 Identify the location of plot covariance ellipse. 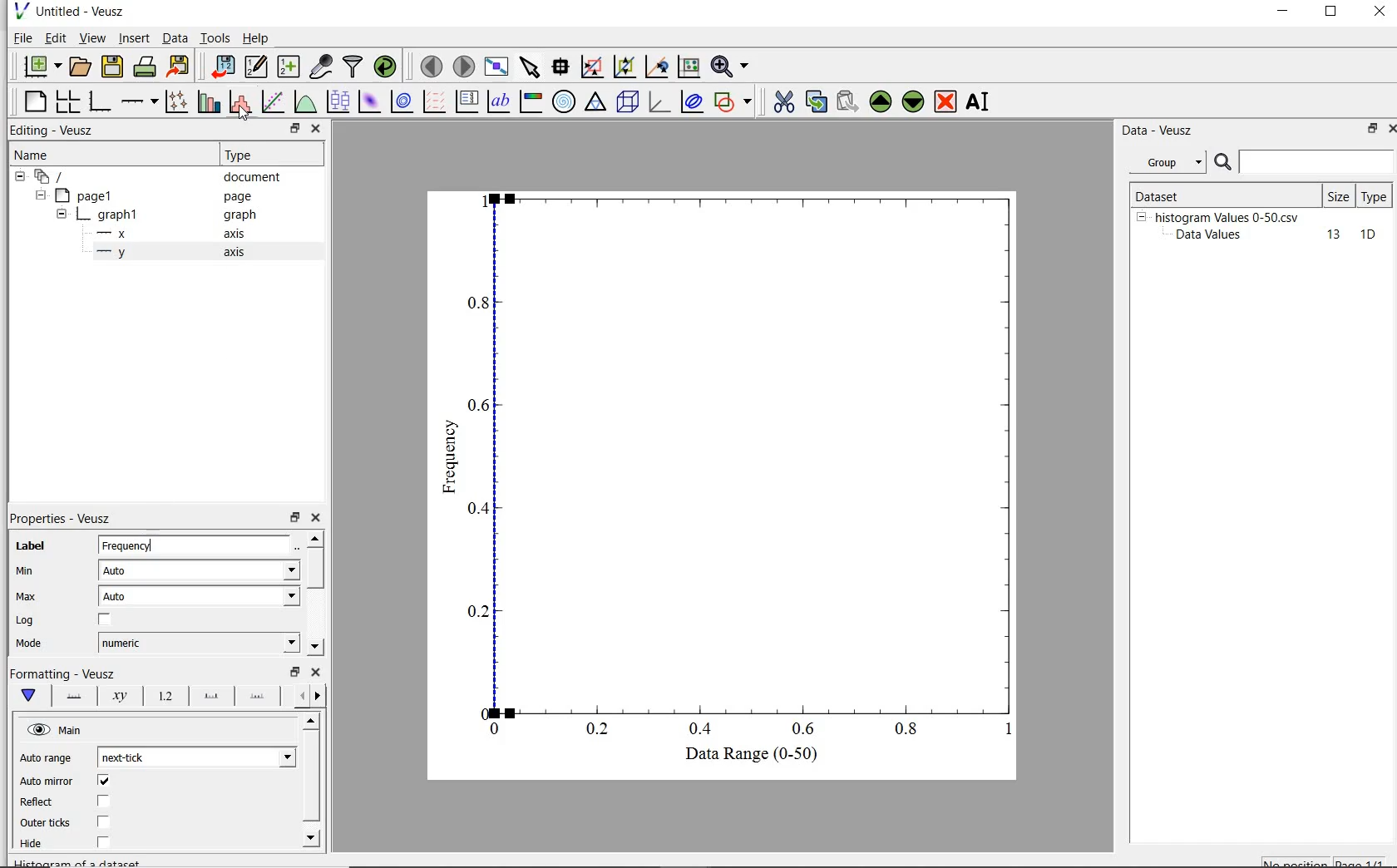
(692, 104).